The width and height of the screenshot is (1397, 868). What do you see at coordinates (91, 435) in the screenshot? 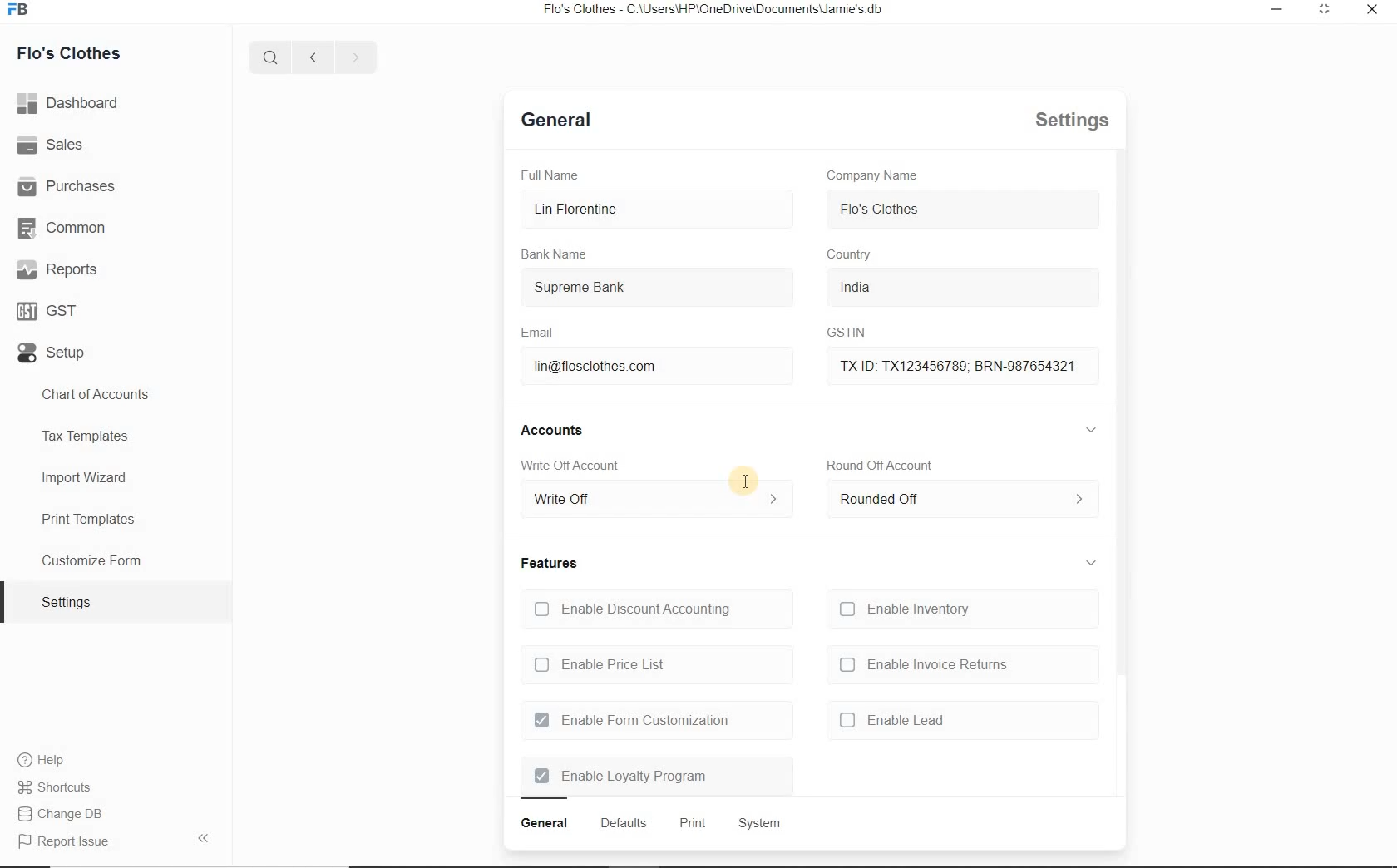
I see `Tax Templates` at bounding box center [91, 435].